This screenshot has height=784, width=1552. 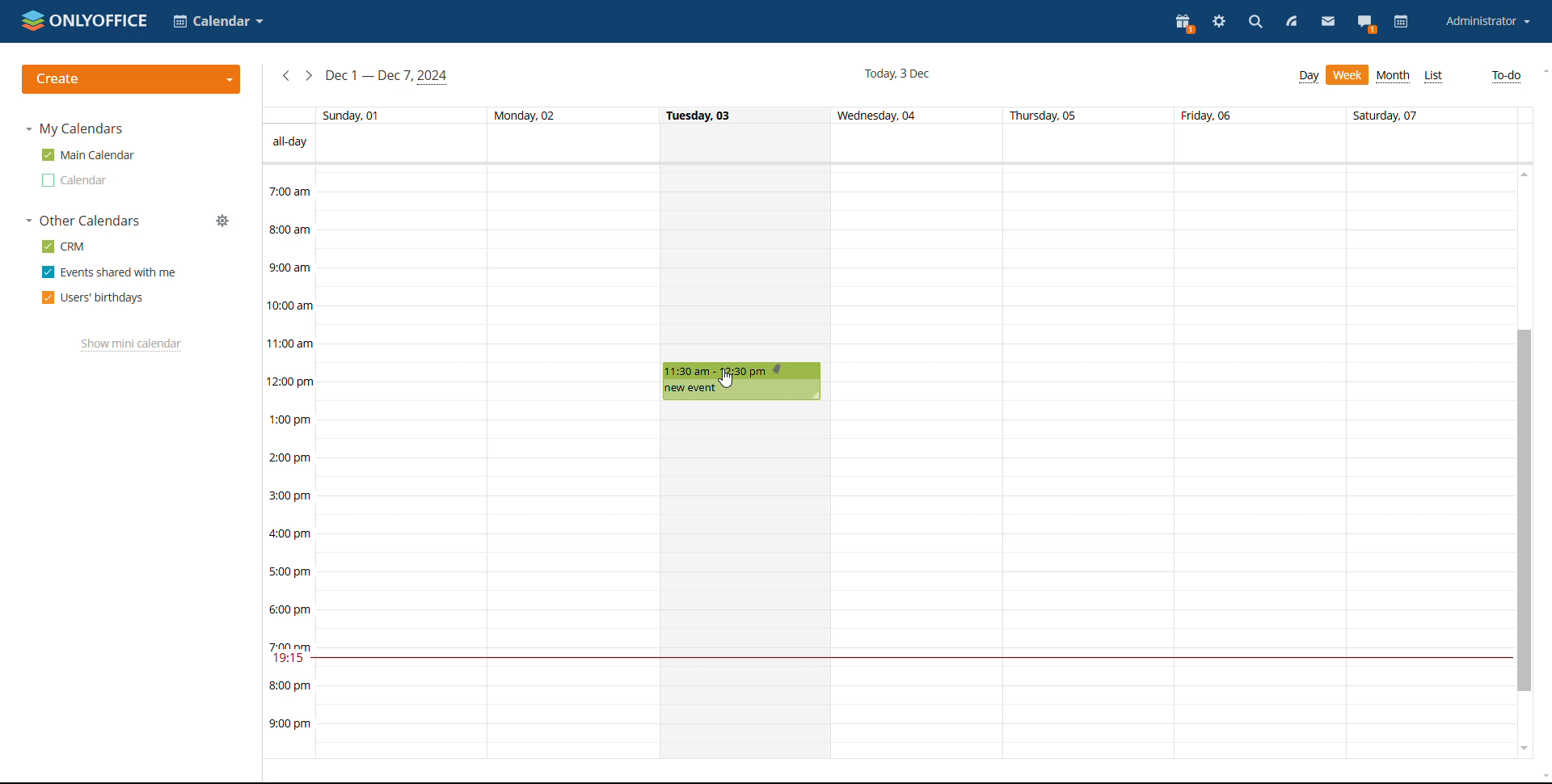 I want to click on search, so click(x=1255, y=22).